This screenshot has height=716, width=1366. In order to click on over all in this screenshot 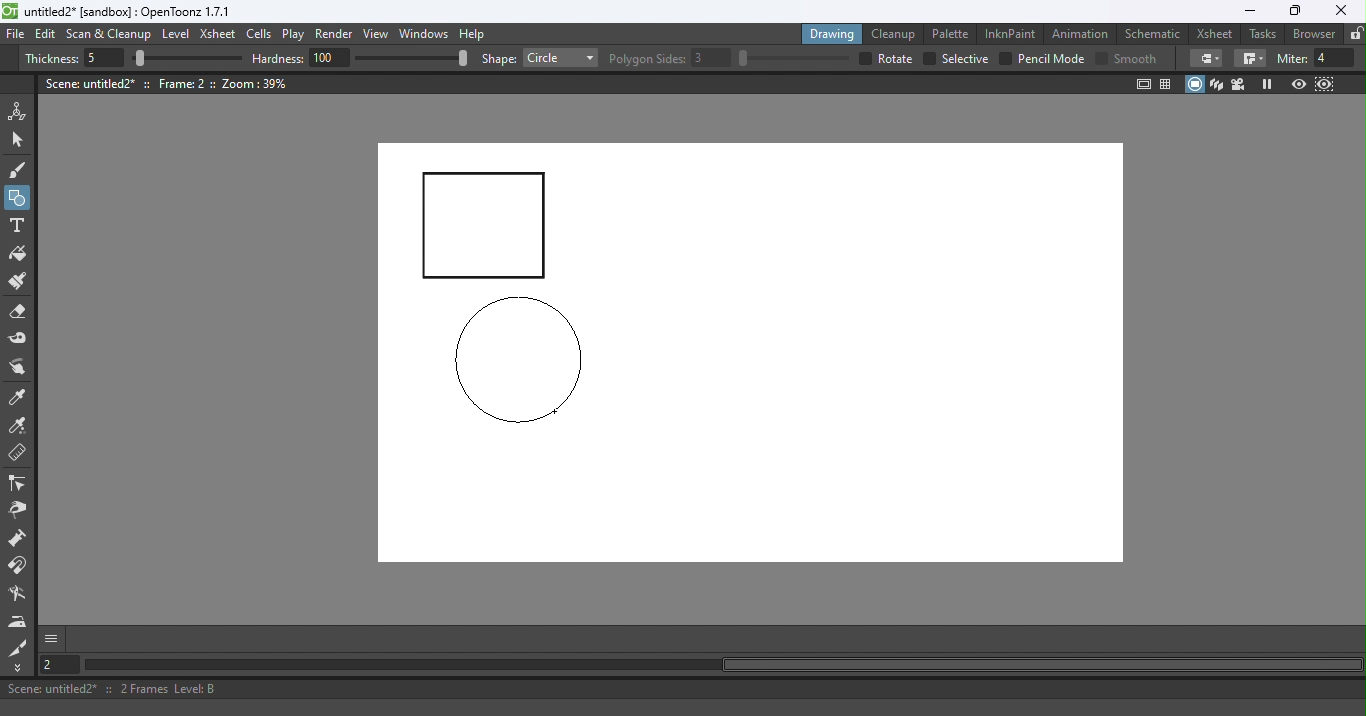, I will do `click(897, 58)`.